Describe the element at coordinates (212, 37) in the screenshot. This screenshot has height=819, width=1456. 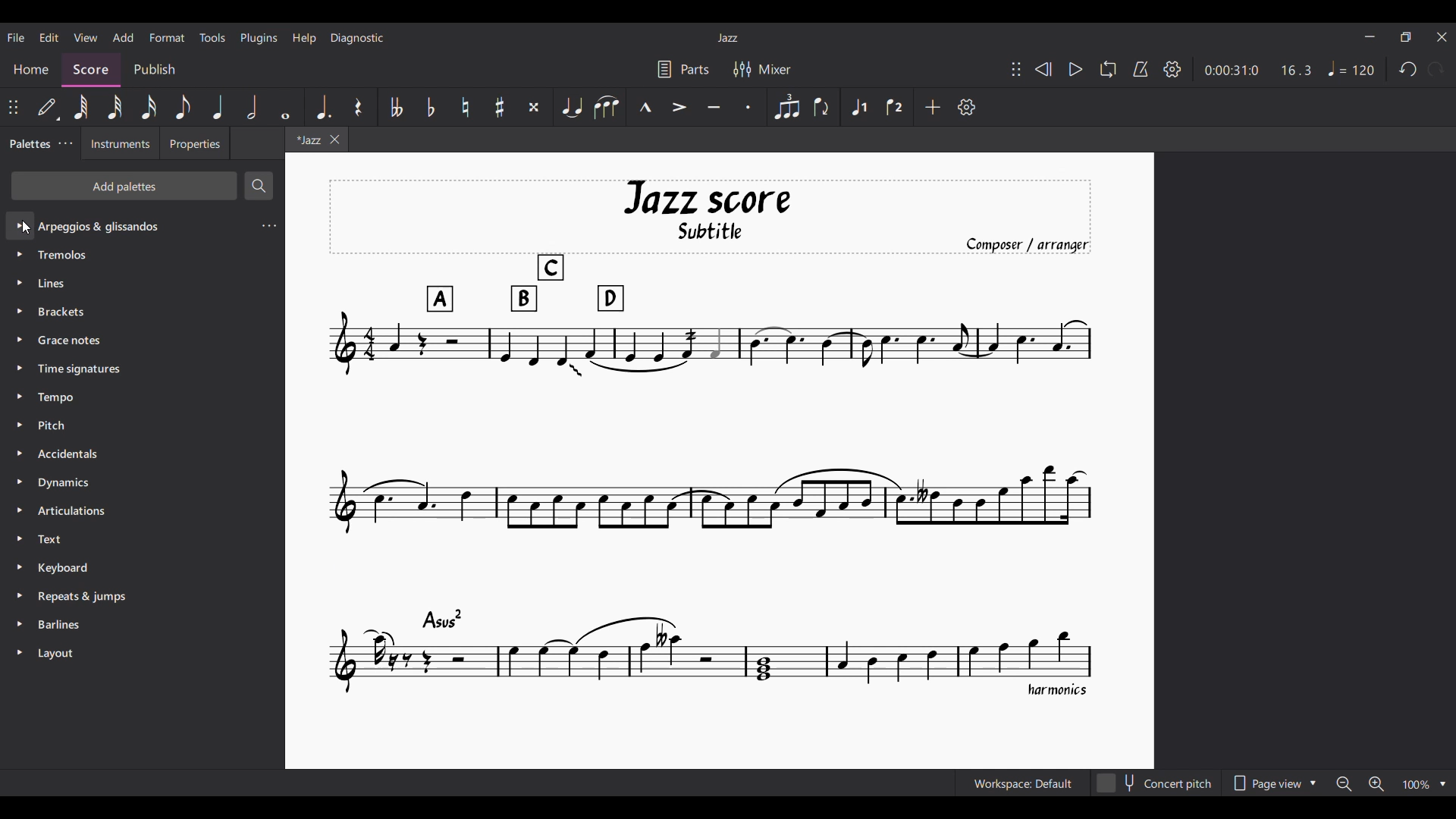
I see `Tools menu` at that location.